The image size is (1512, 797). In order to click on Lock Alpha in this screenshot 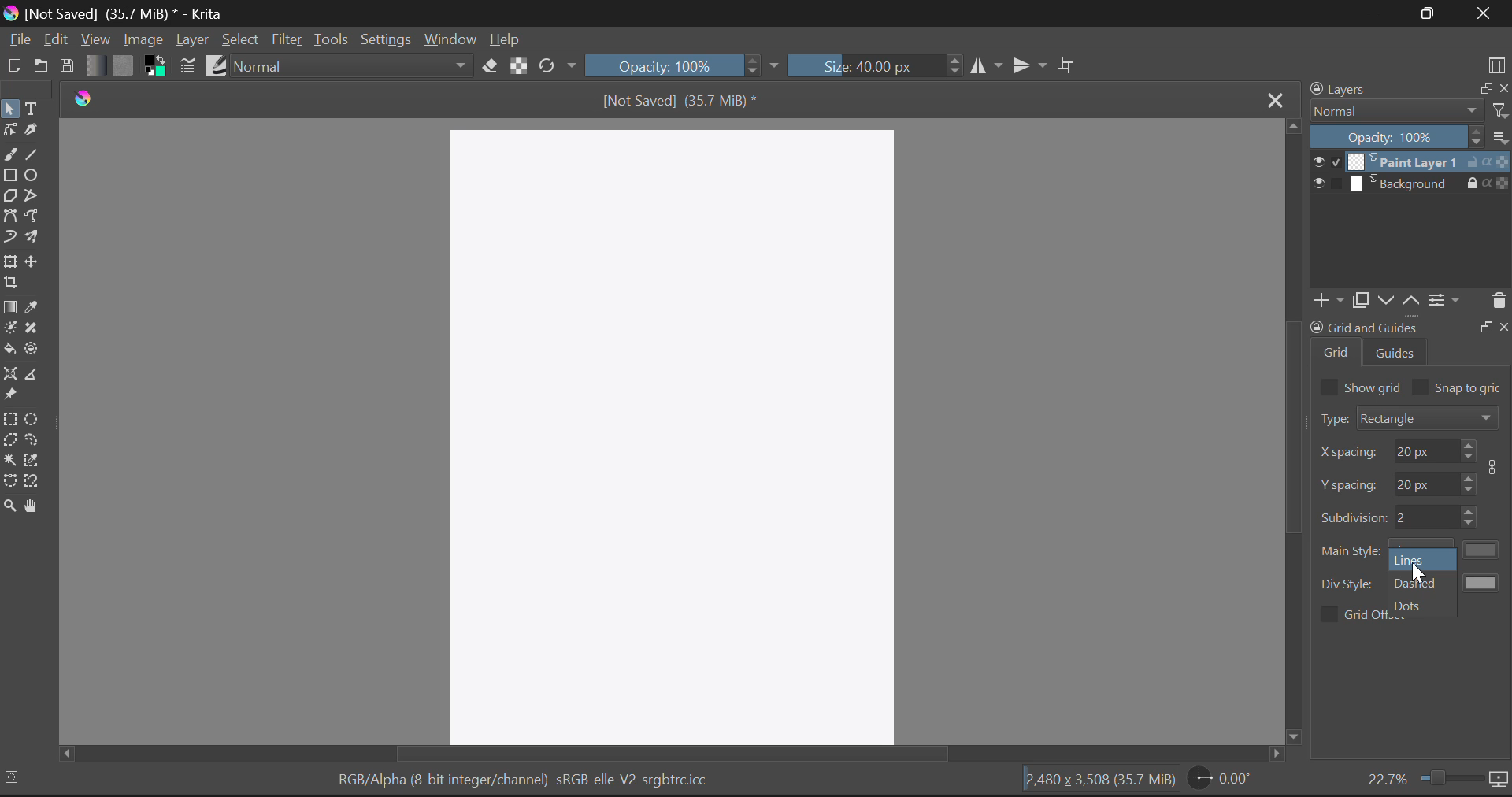, I will do `click(519, 65)`.